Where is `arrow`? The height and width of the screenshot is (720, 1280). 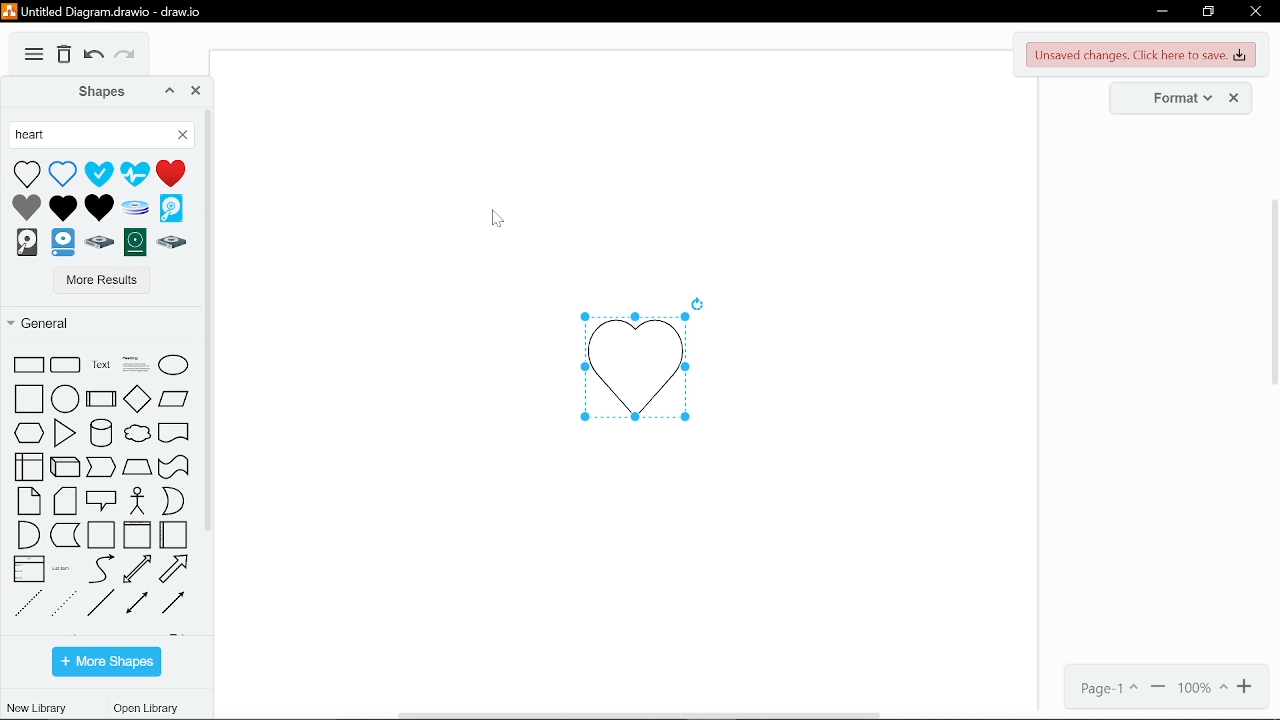
arrow is located at coordinates (175, 569).